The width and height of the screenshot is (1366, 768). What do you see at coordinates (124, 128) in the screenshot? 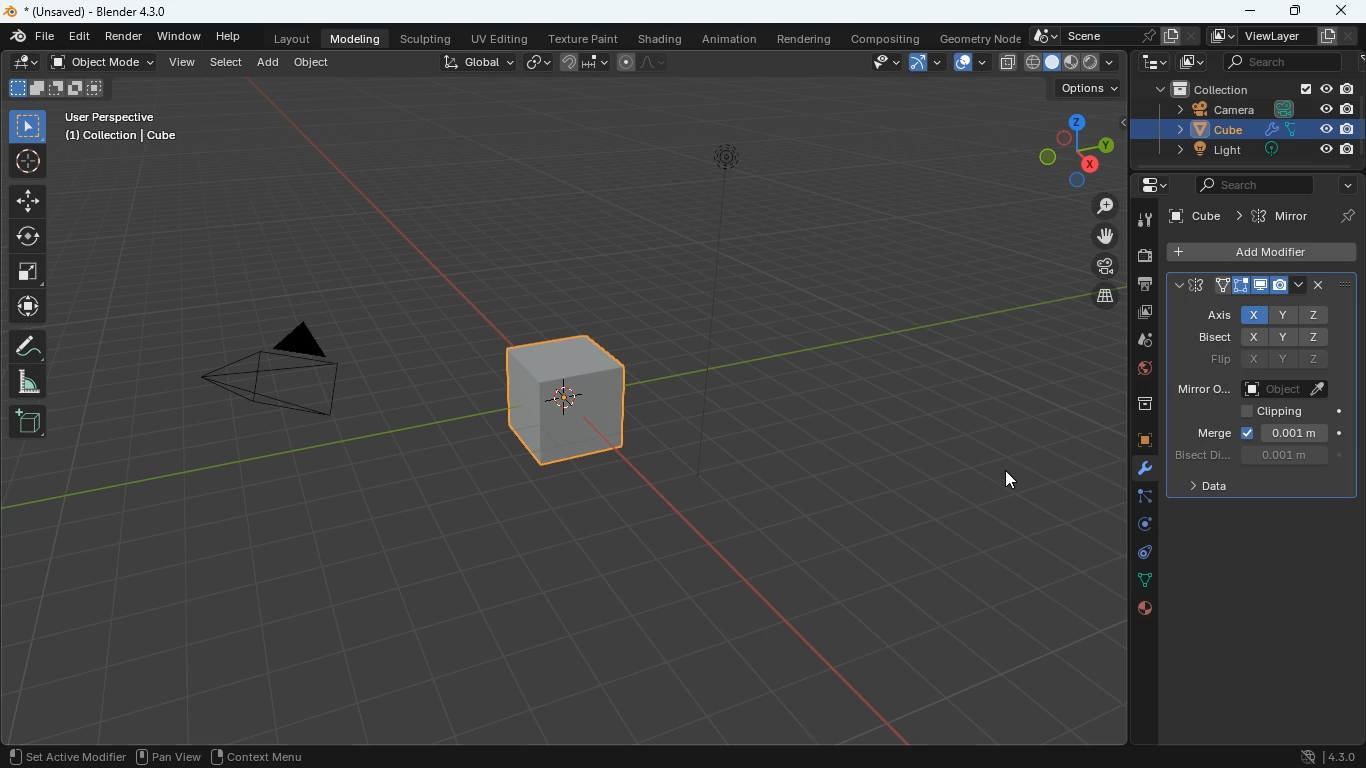
I see `user perspective` at bounding box center [124, 128].